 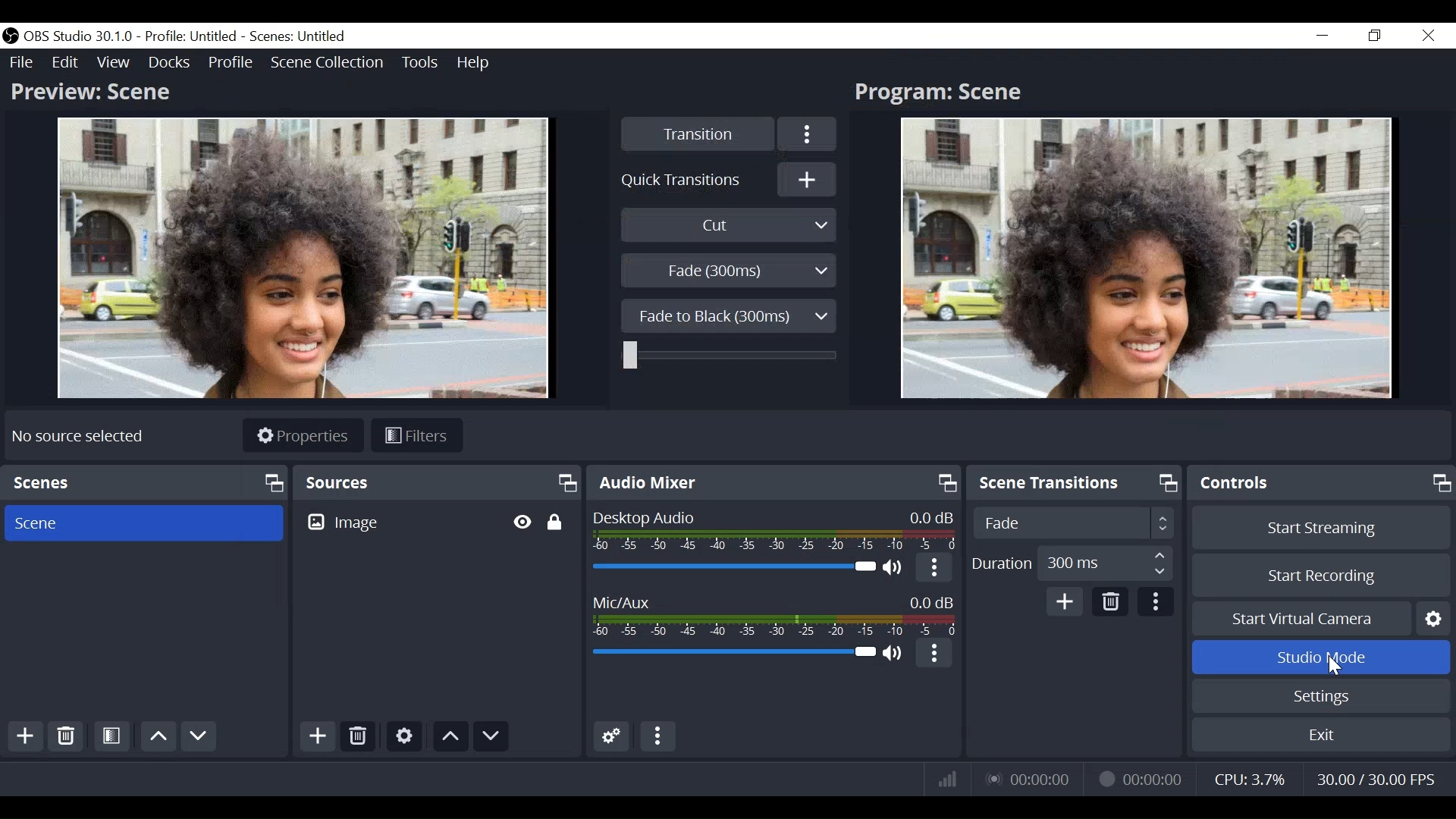 What do you see at coordinates (416, 436) in the screenshot?
I see `Filters` at bounding box center [416, 436].